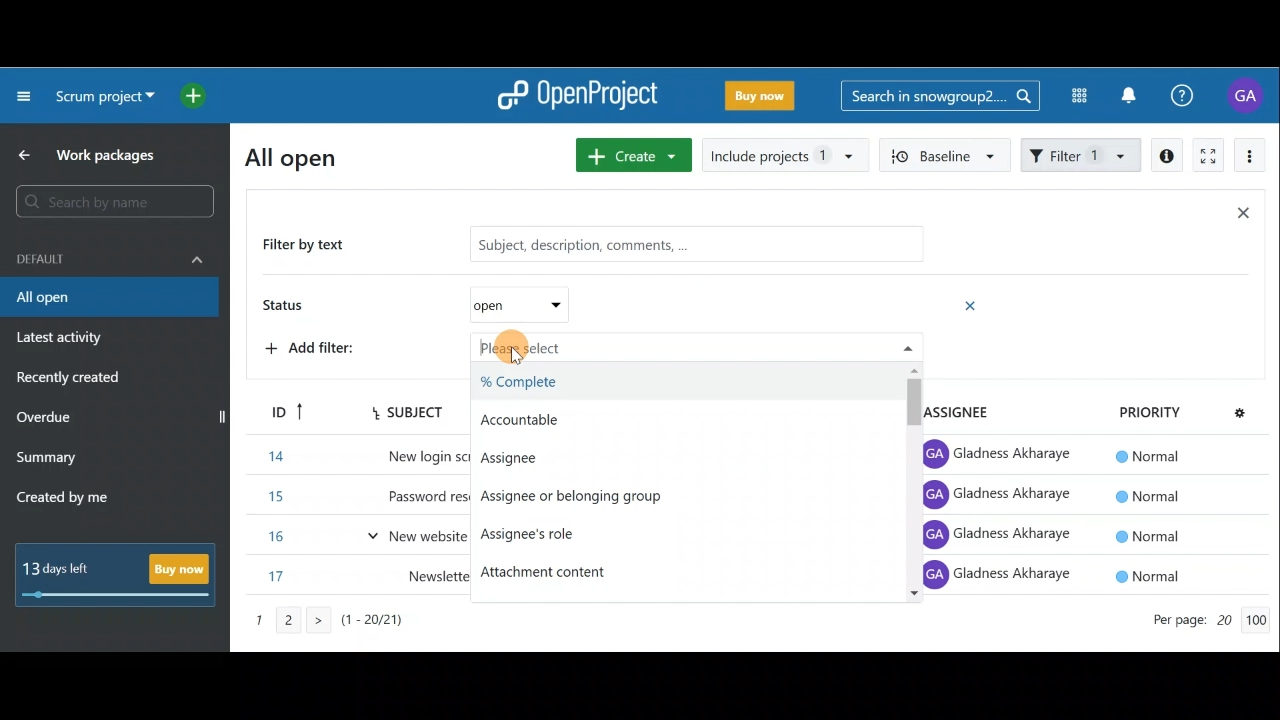  What do you see at coordinates (764, 99) in the screenshot?
I see `Buy now` at bounding box center [764, 99].